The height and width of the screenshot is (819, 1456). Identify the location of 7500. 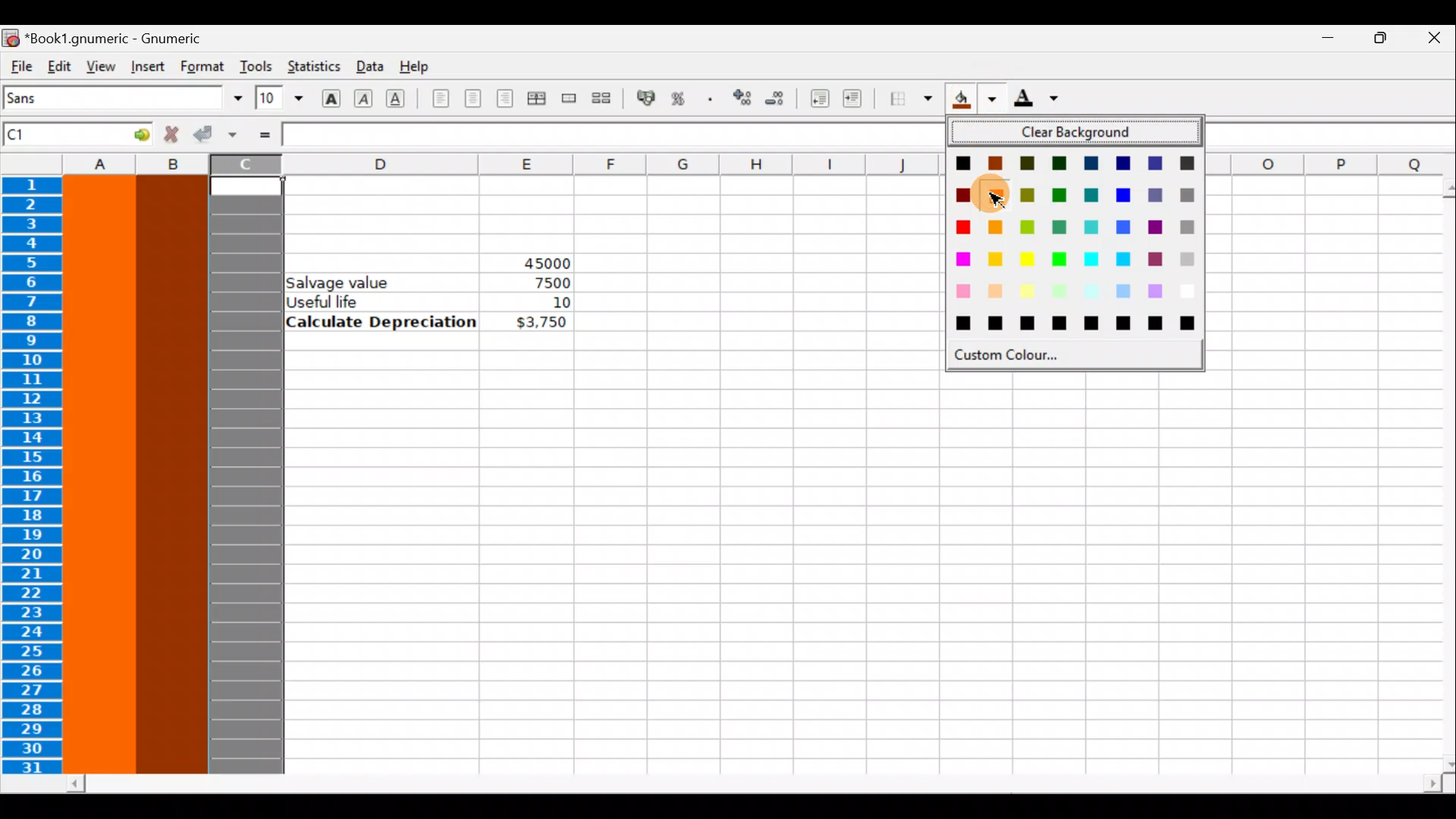
(548, 283).